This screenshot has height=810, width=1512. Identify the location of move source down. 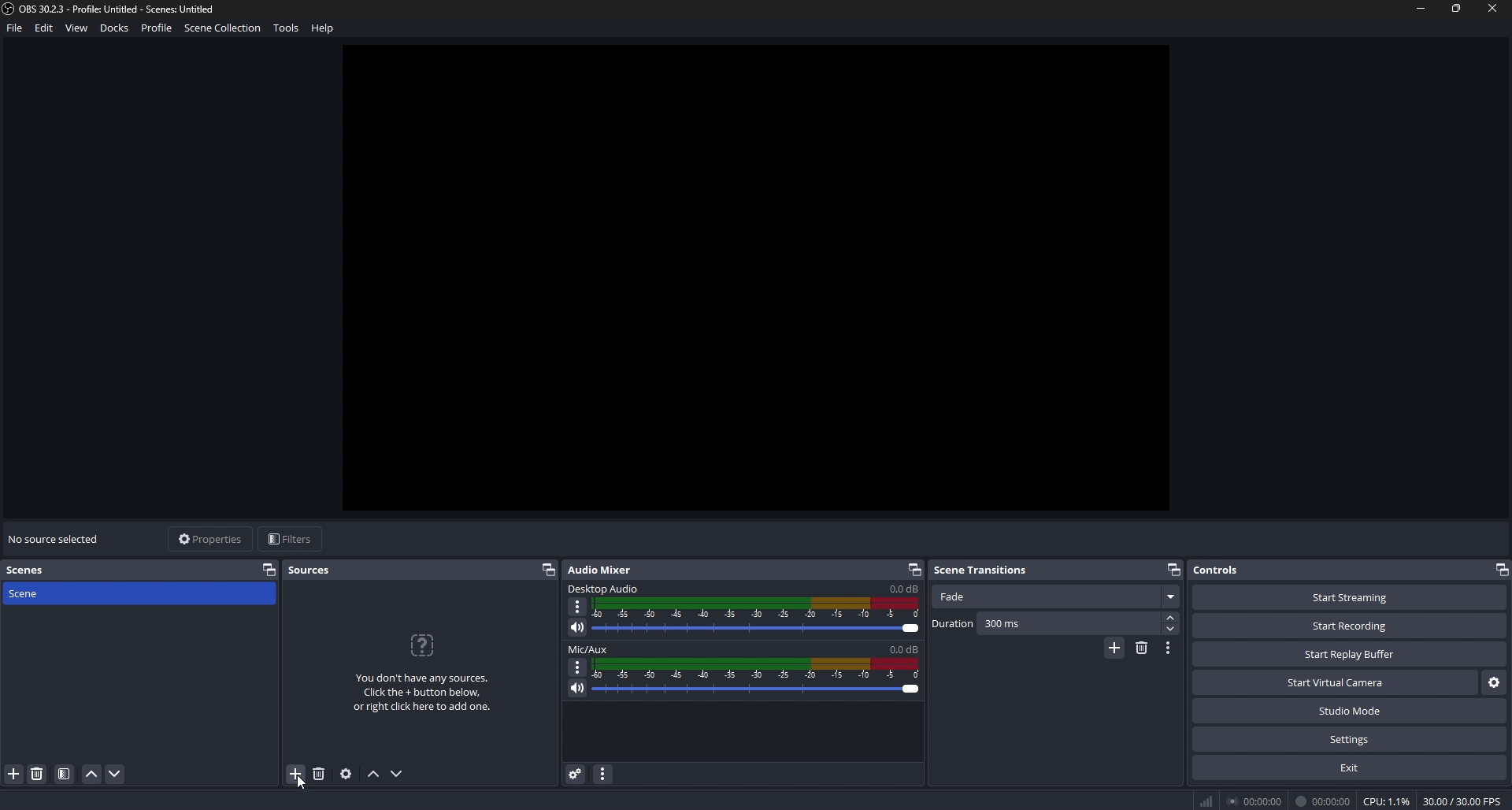
(395, 775).